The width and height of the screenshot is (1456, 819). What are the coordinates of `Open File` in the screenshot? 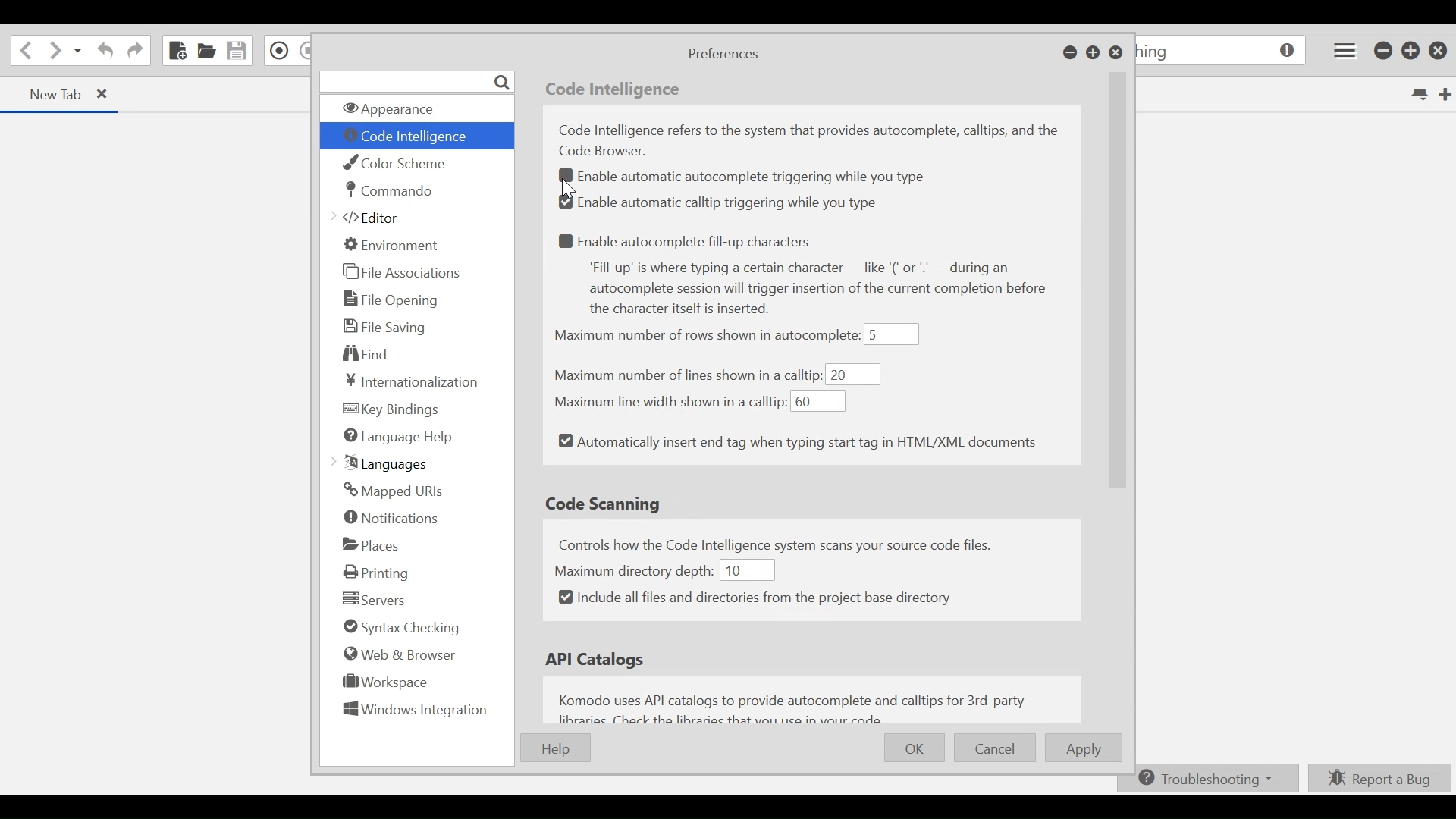 It's located at (207, 52).